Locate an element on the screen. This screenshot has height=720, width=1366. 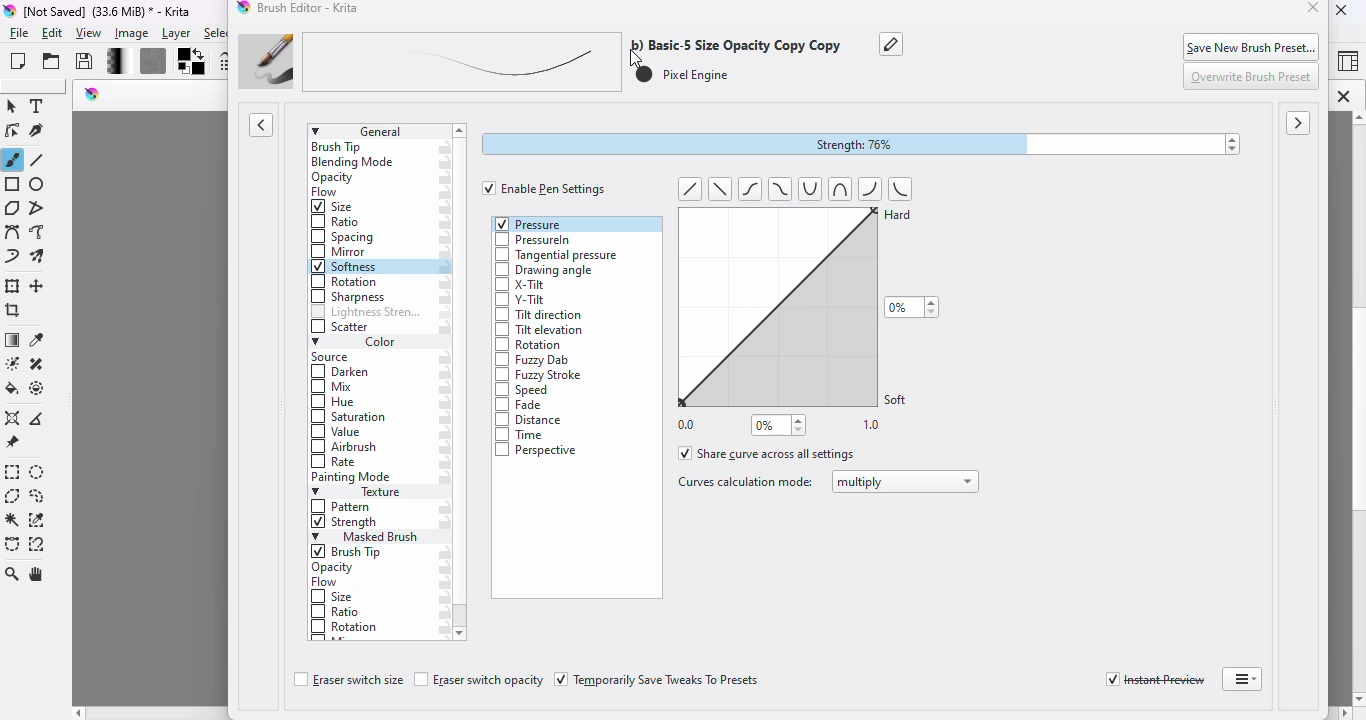
share curve across all settings is located at coordinates (768, 453).